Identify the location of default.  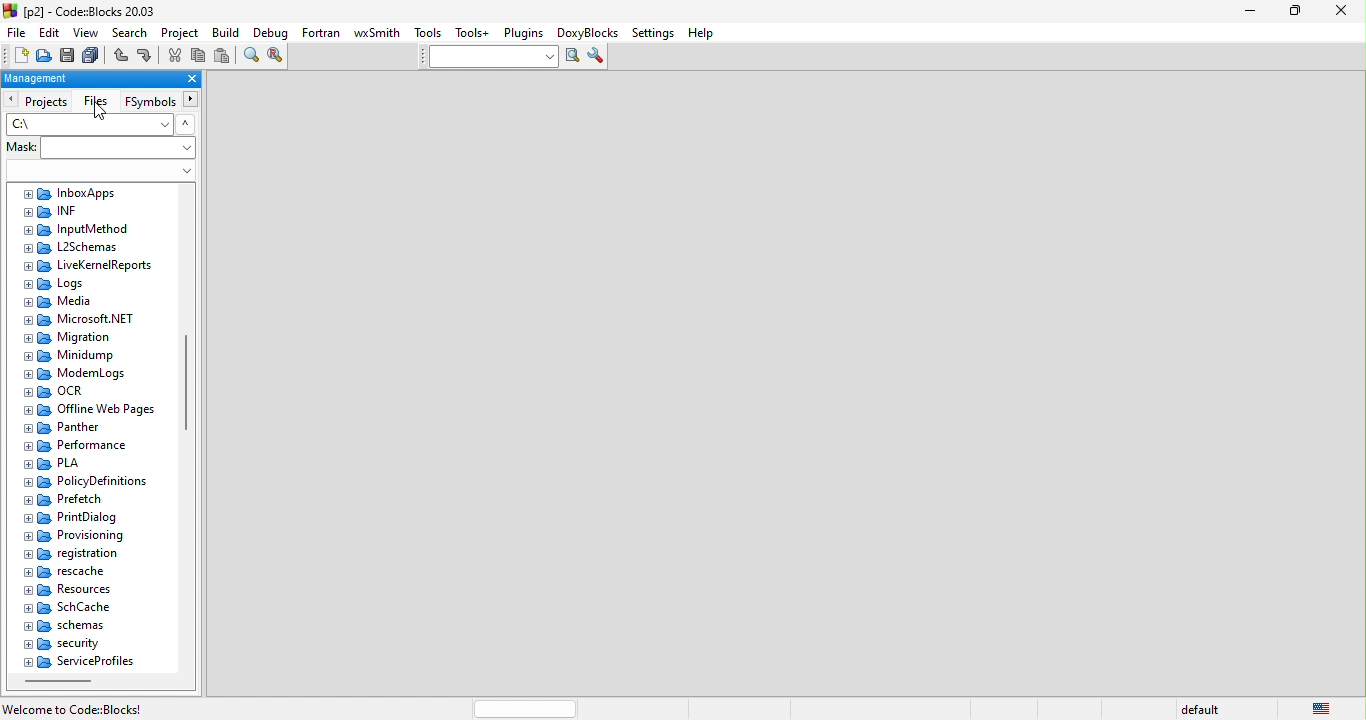
(1203, 708).